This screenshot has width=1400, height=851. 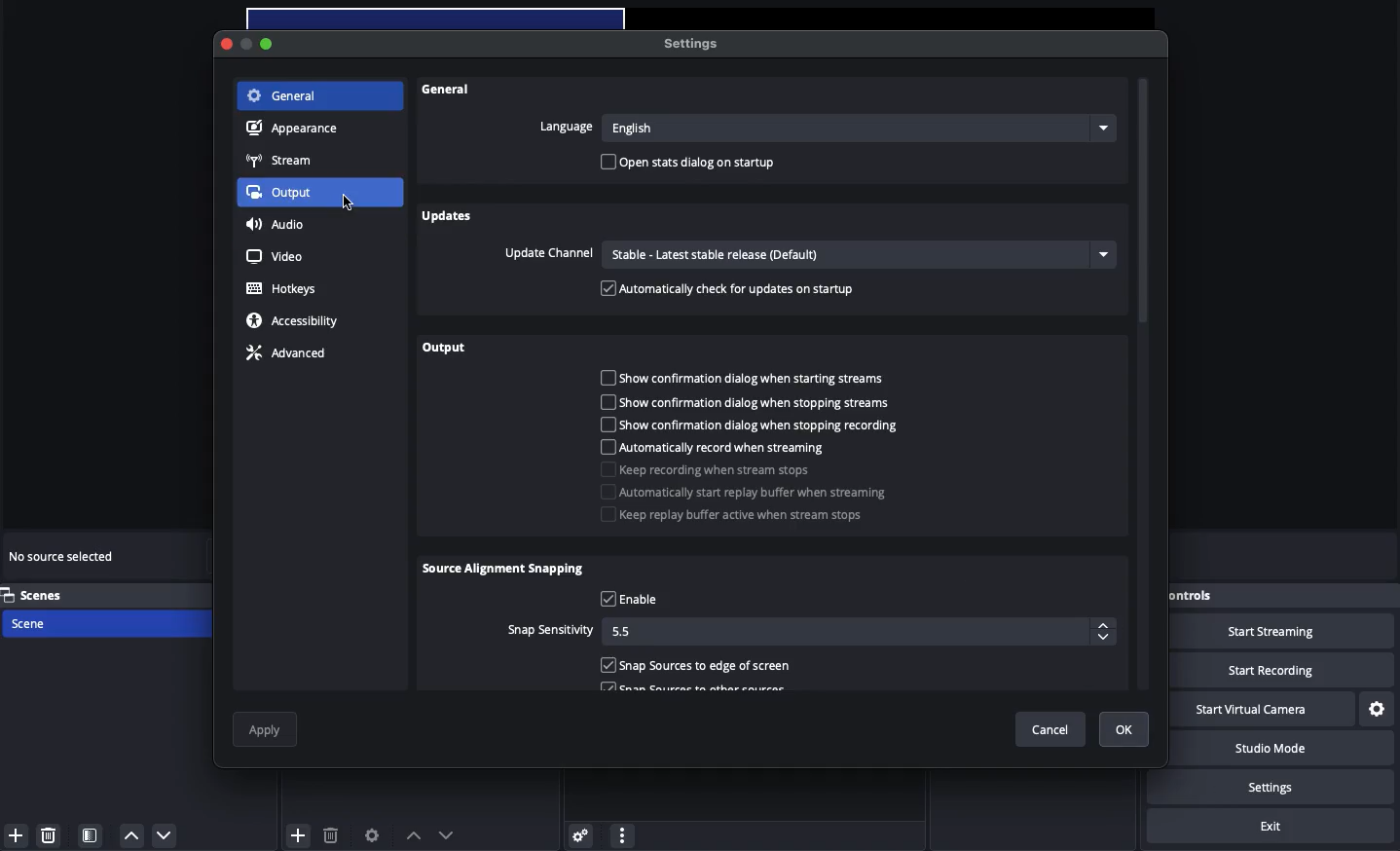 What do you see at coordinates (63, 559) in the screenshot?
I see `No source selected` at bounding box center [63, 559].